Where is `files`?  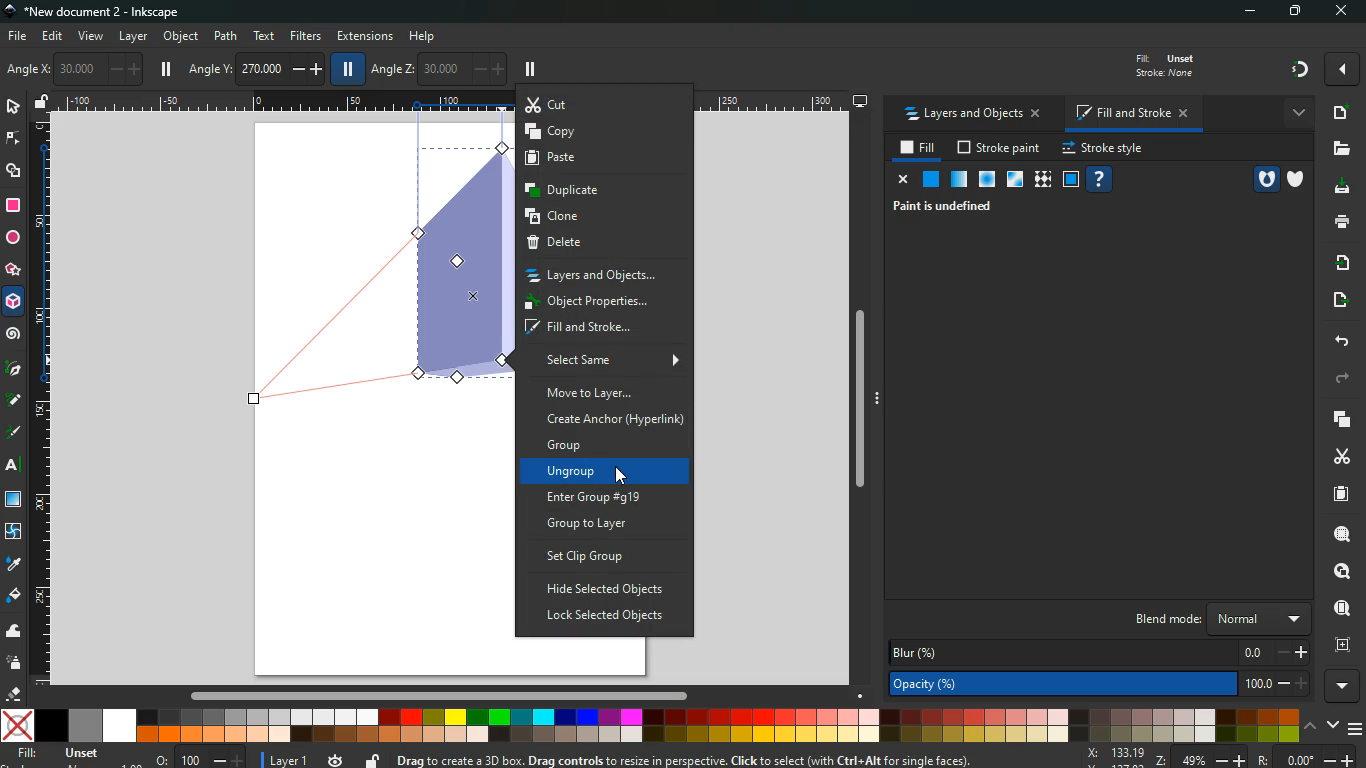 files is located at coordinates (1339, 150).